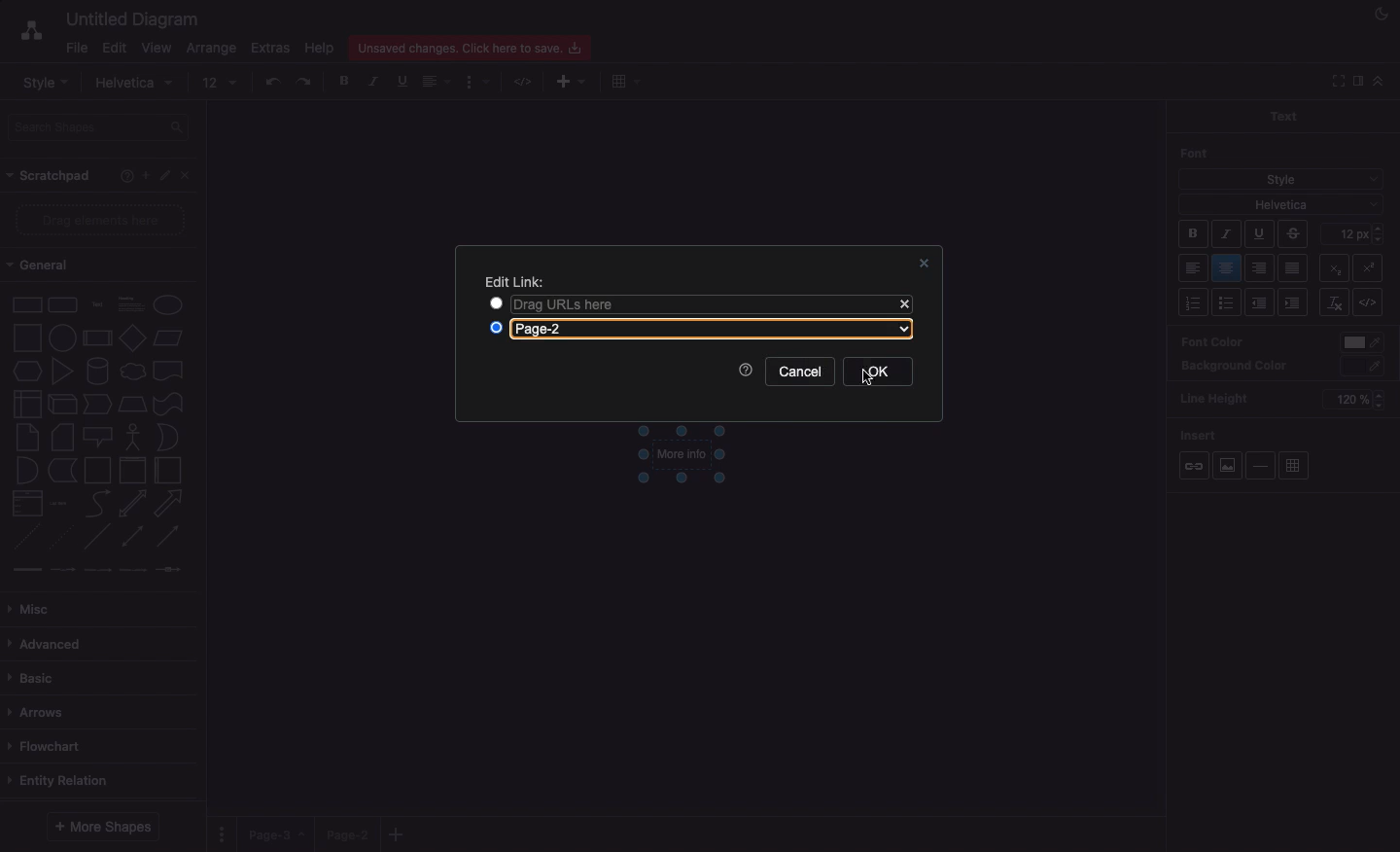  What do you see at coordinates (131, 438) in the screenshot?
I see `actor` at bounding box center [131, 438].